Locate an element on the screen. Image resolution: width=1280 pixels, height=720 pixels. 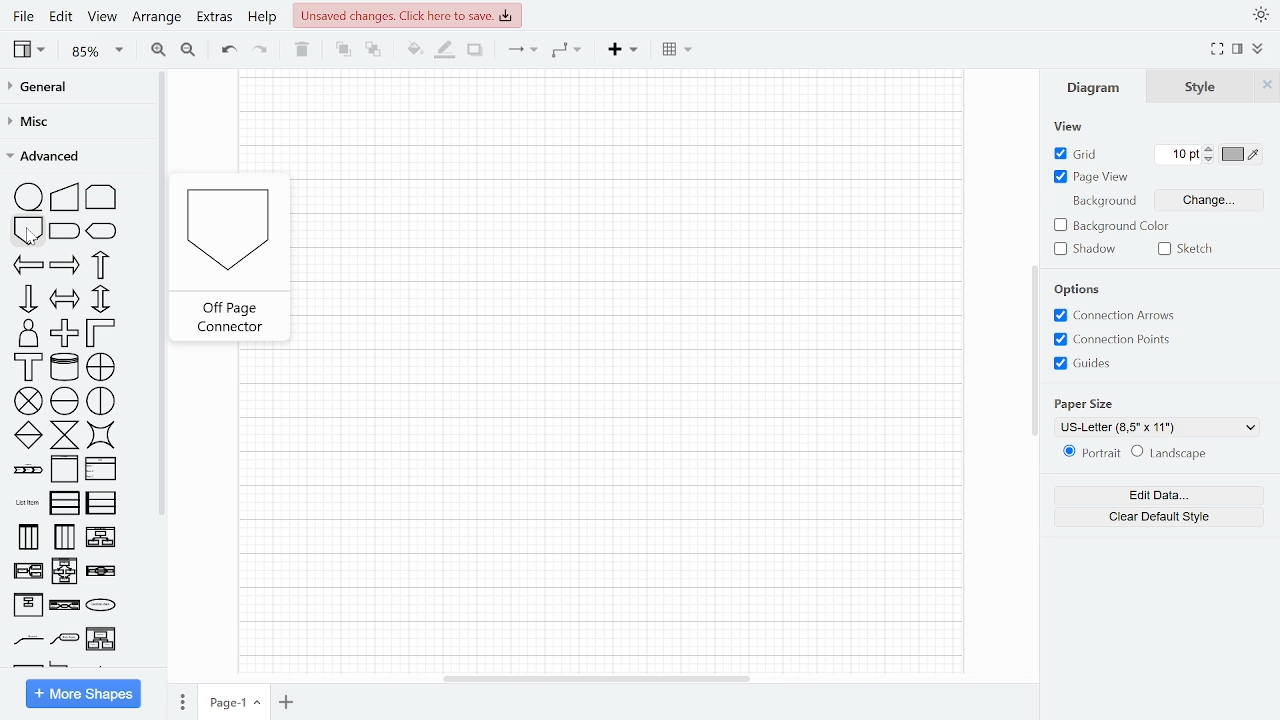
horizontal tree layout is located at coordinates (66, 571).